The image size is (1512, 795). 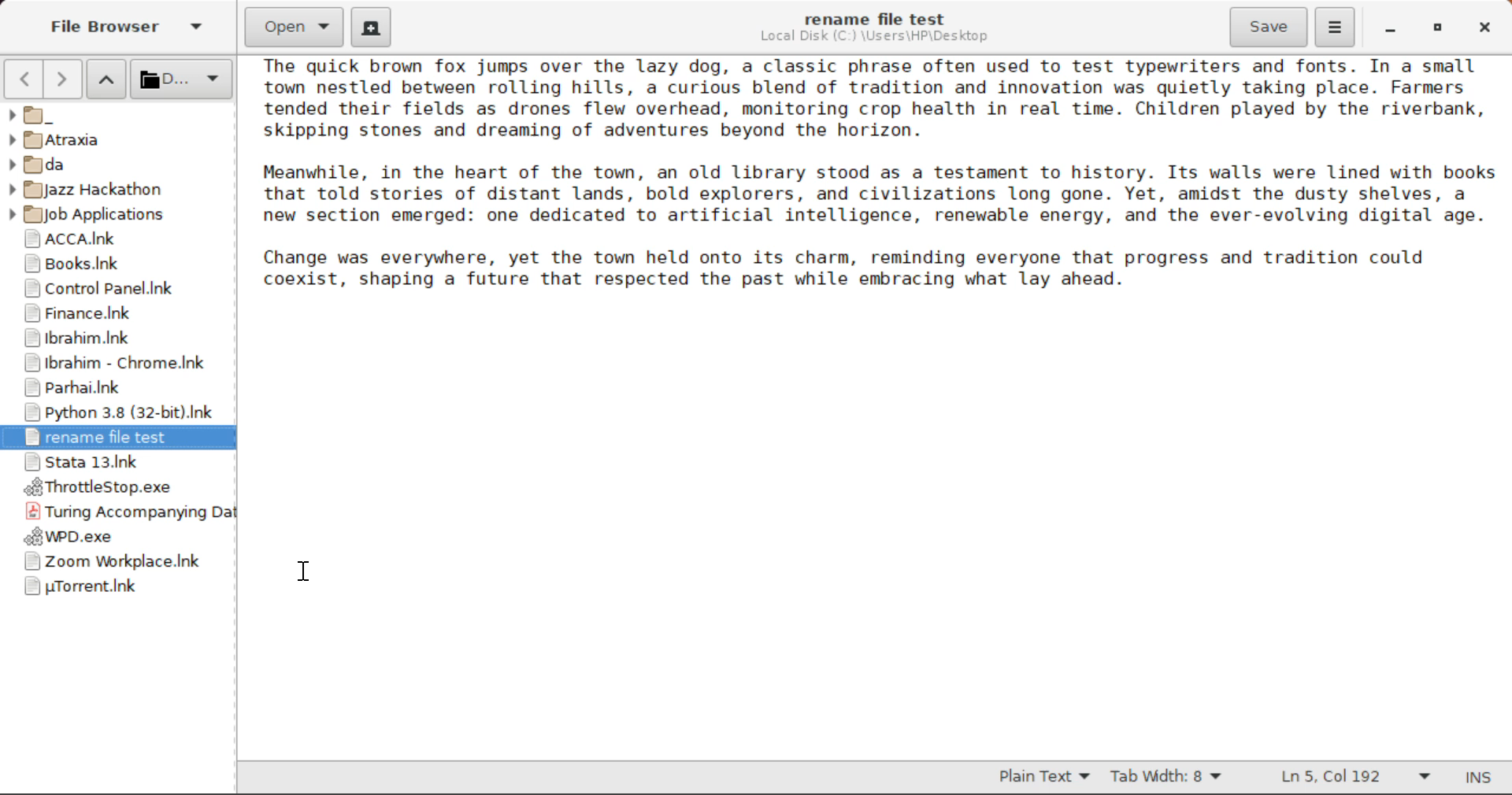 What do you see at coordinates (1388, 30) in the screenshot?
I see `Restore Down` at bounding box center [1388, 30].